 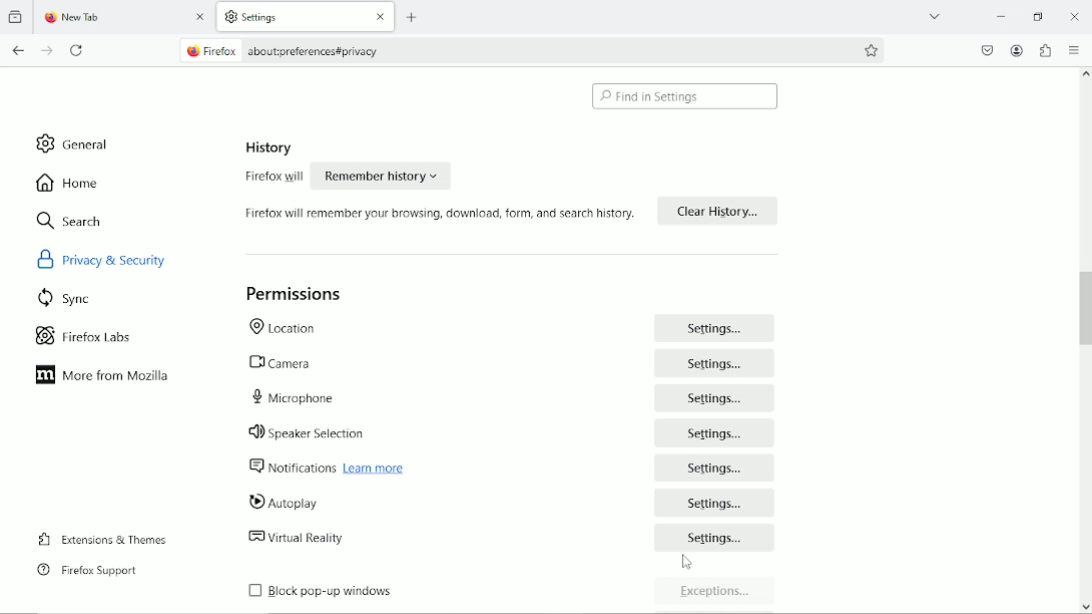 What do you see at coordinates (230, 16) in the screenshot?
I see `settings logo` at bounding box center [230, 16].